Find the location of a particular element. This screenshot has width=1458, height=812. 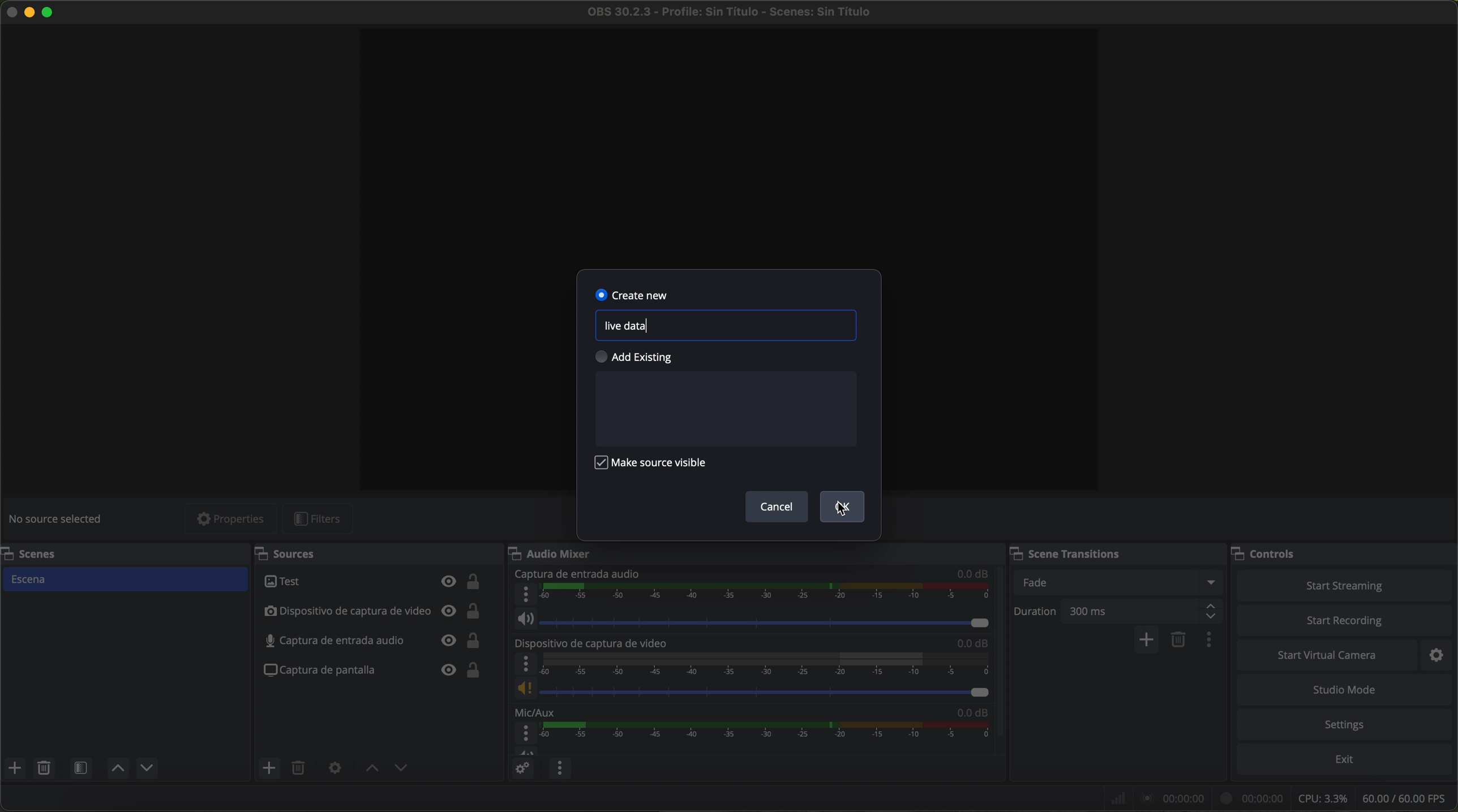

timeline is located at coordinates (768, 737).